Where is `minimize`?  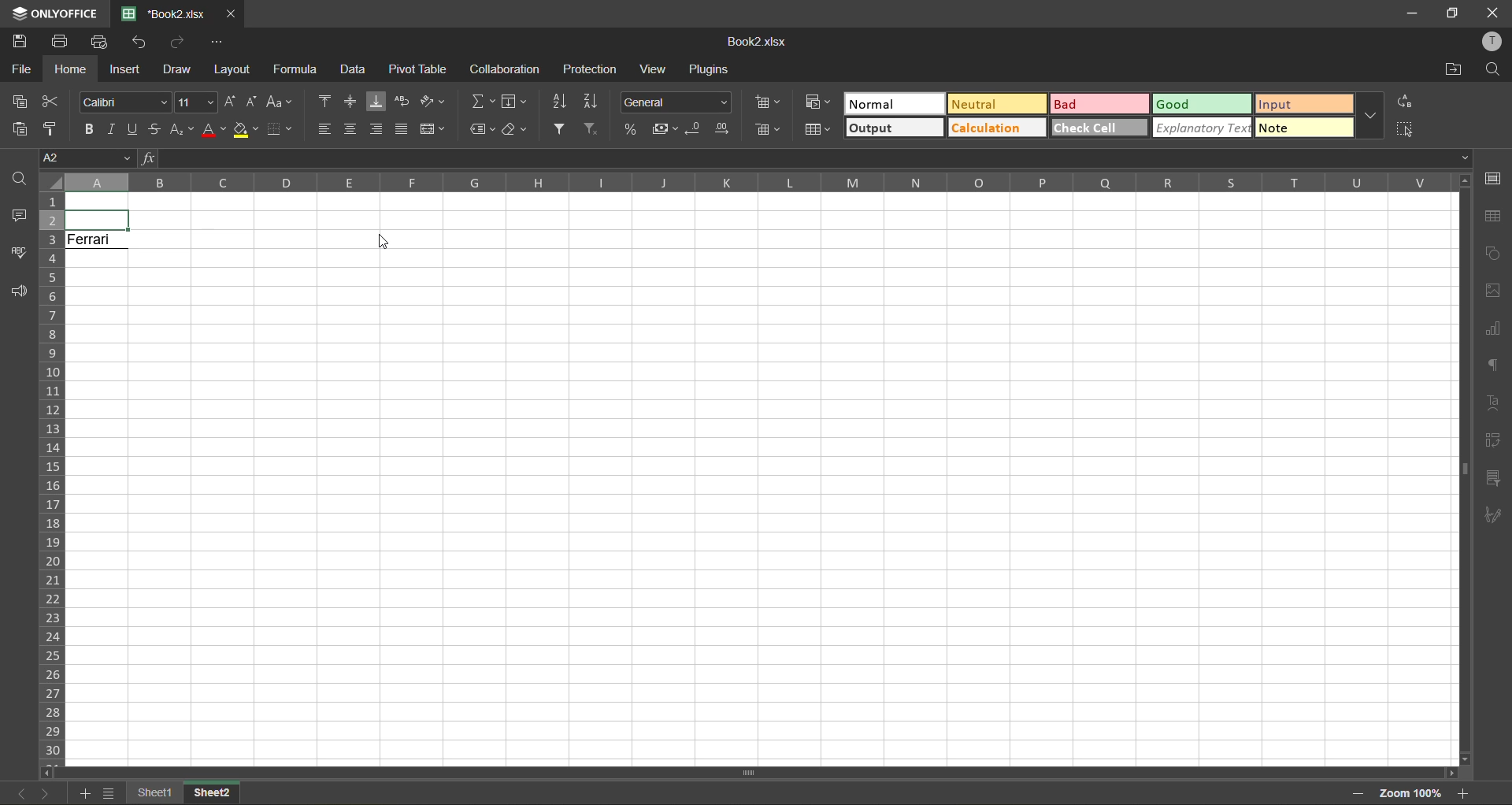 minimize is located at coordinates (1413, 13).